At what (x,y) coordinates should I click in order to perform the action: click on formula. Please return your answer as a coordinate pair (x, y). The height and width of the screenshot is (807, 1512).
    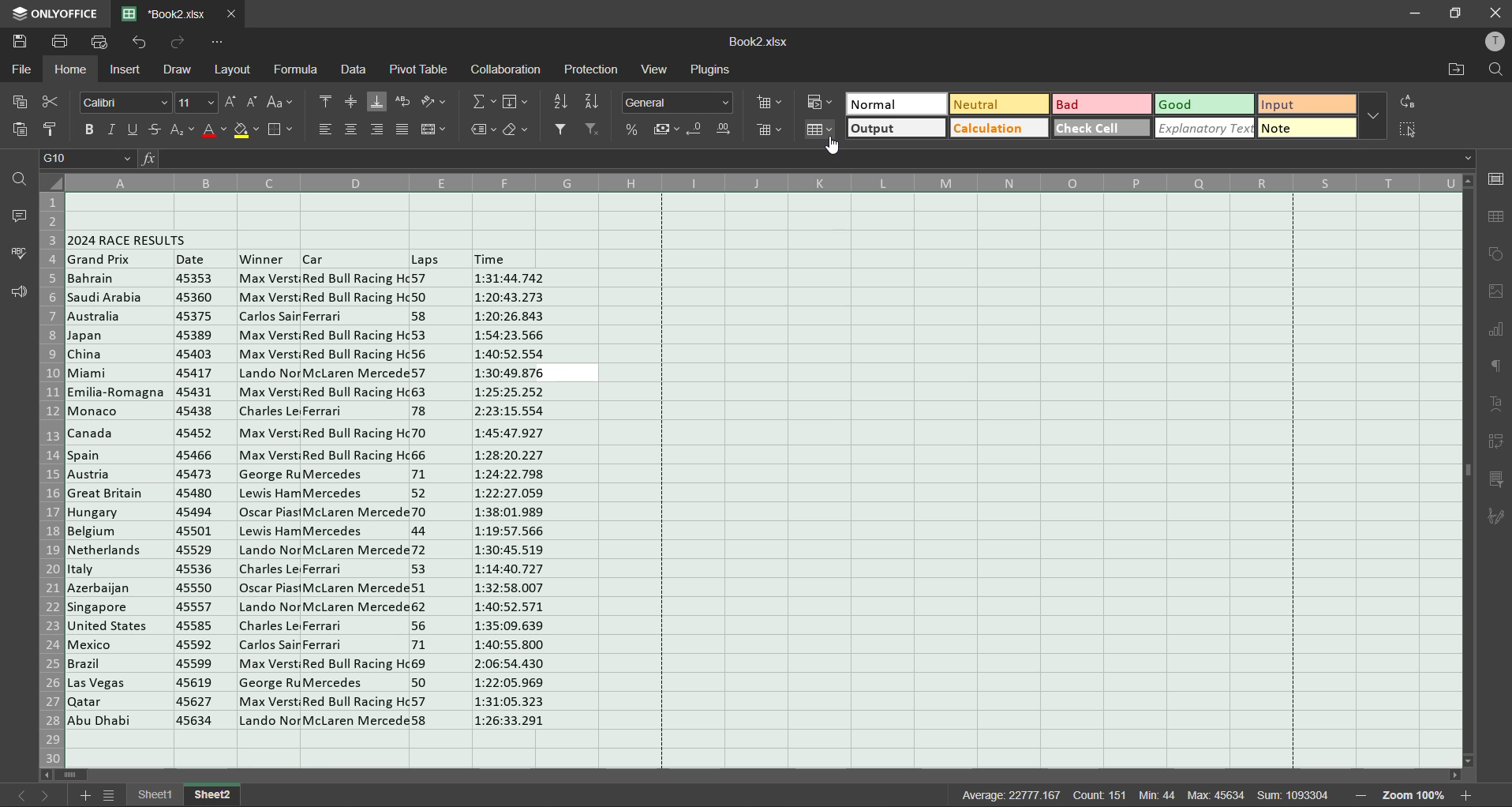
    Looking at the image, I should click on (296, 69).